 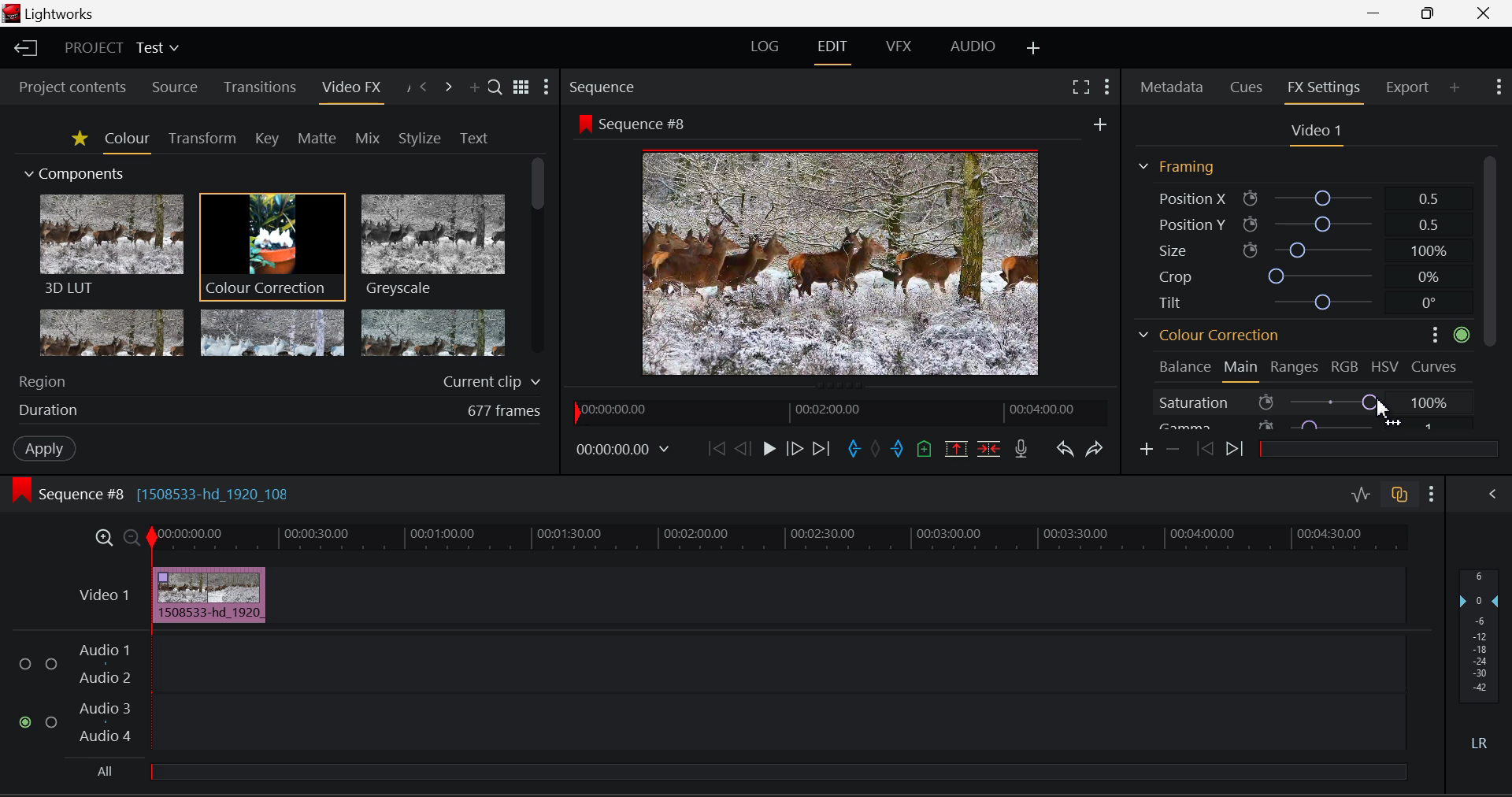 I want to click on Position X, so click(x=1299, y=198).